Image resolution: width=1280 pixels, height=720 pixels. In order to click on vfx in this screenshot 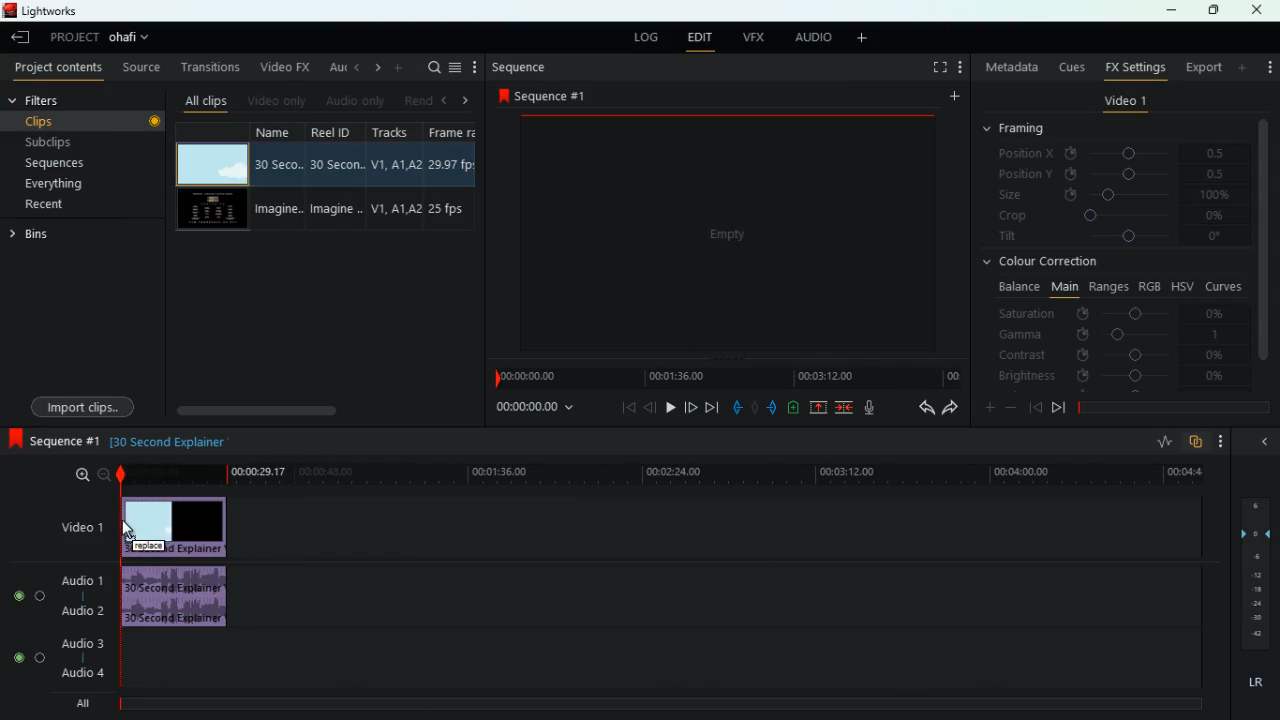, I will do `click(757, 37)`.